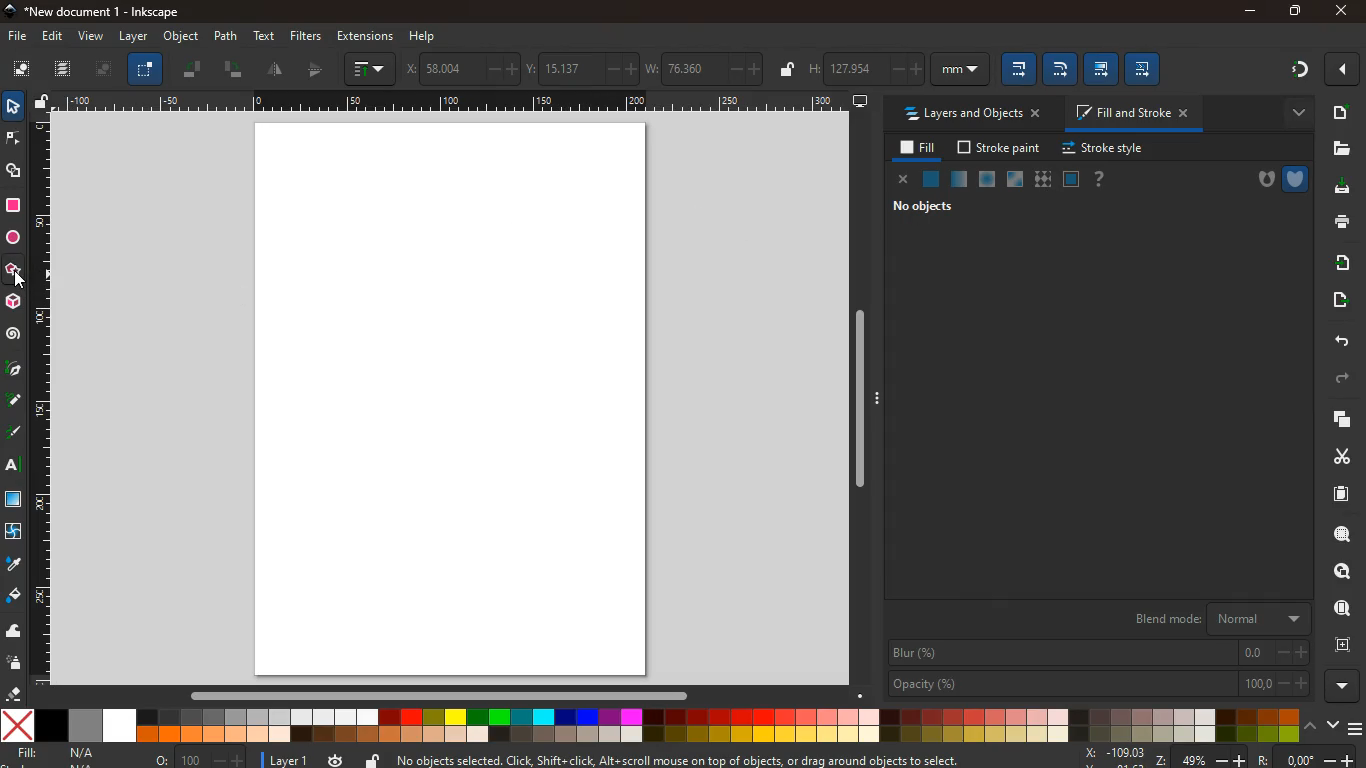  Describe the element at coordinates (1337, 342) in the screenshot. I see `back` at that location.